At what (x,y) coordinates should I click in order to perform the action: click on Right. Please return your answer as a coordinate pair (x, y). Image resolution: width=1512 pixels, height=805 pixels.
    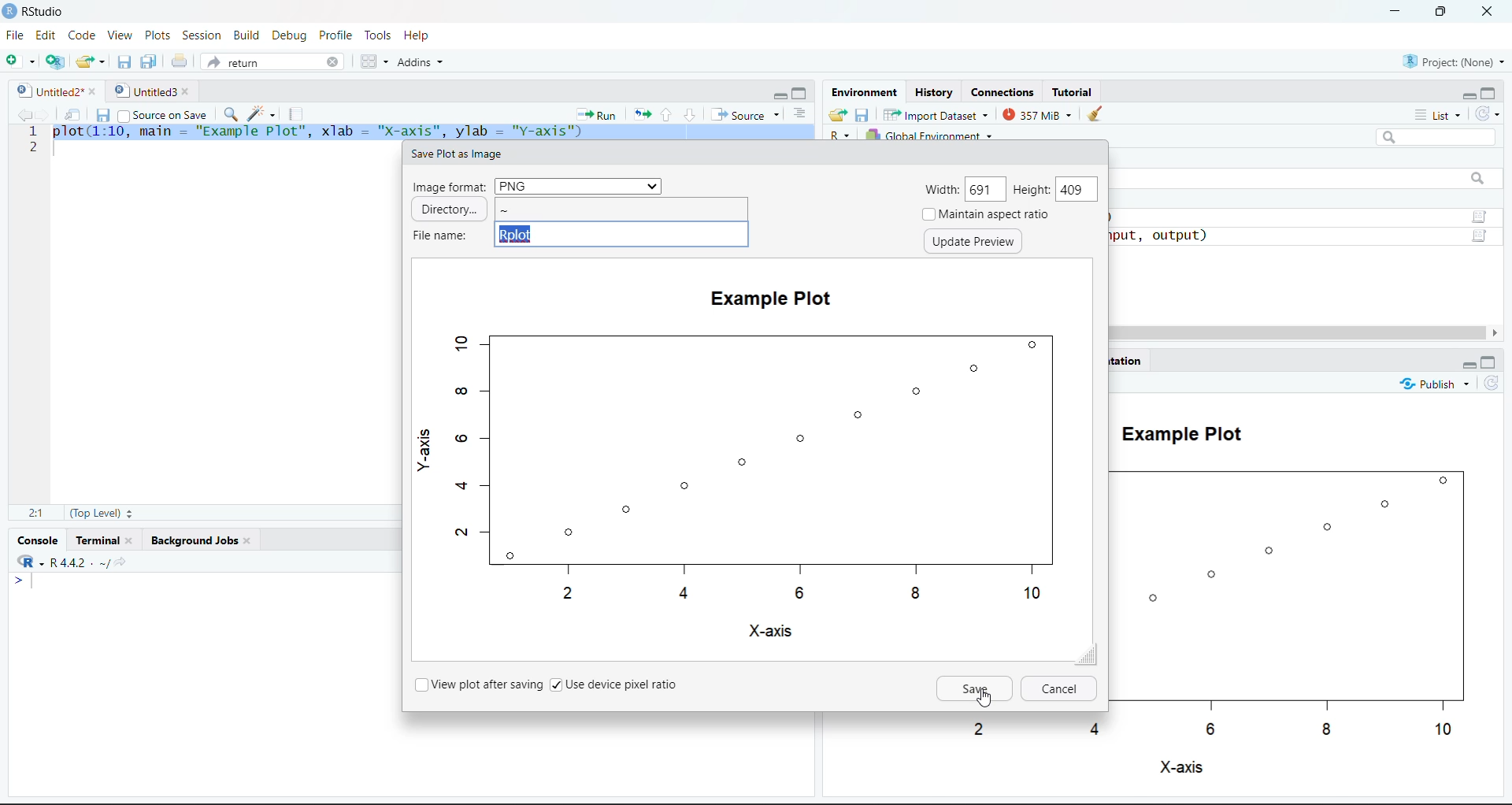
    Looking at the image, I should click on (1496, 332).